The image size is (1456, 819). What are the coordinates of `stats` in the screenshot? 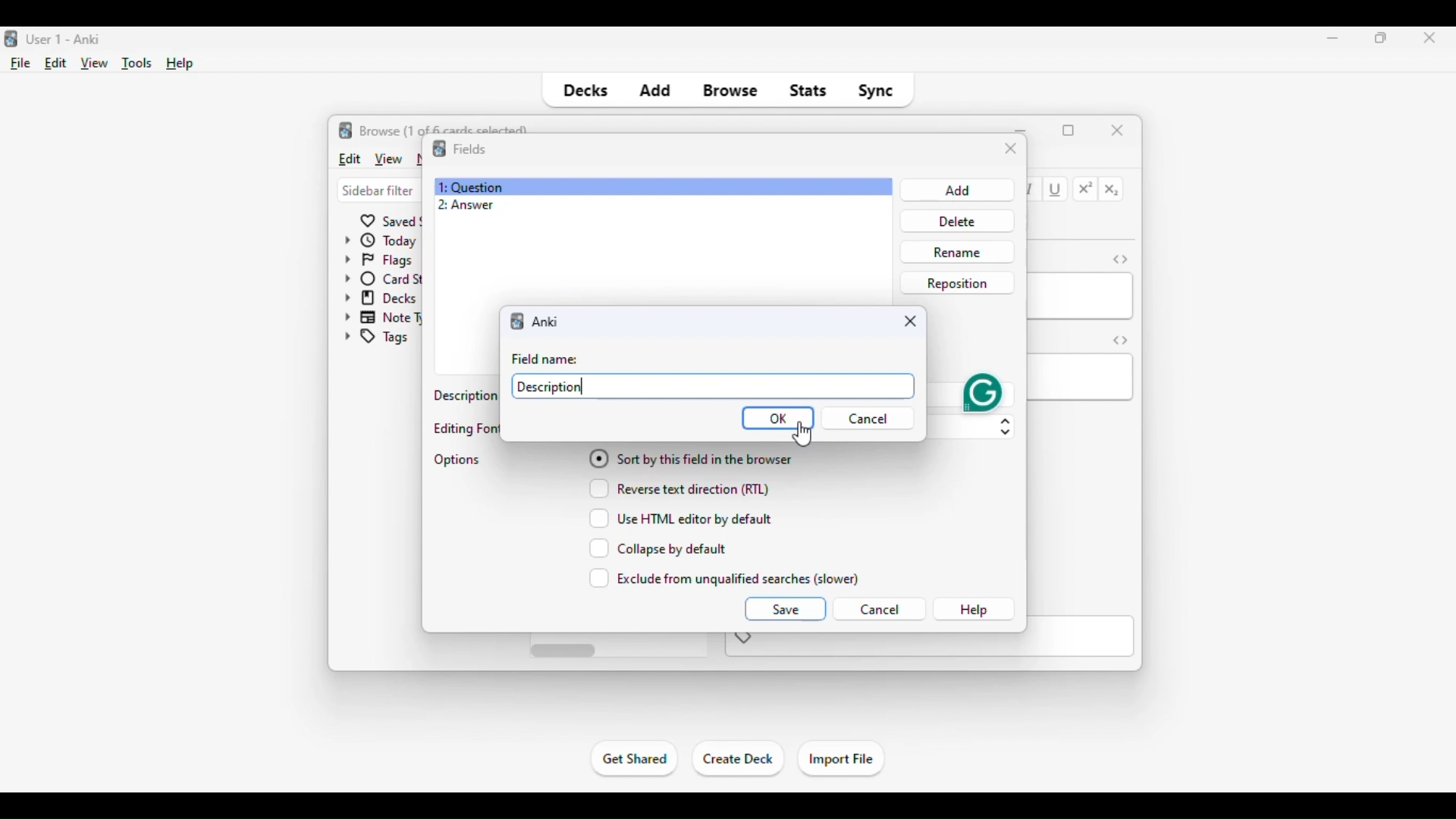 It's located at (808, 91).